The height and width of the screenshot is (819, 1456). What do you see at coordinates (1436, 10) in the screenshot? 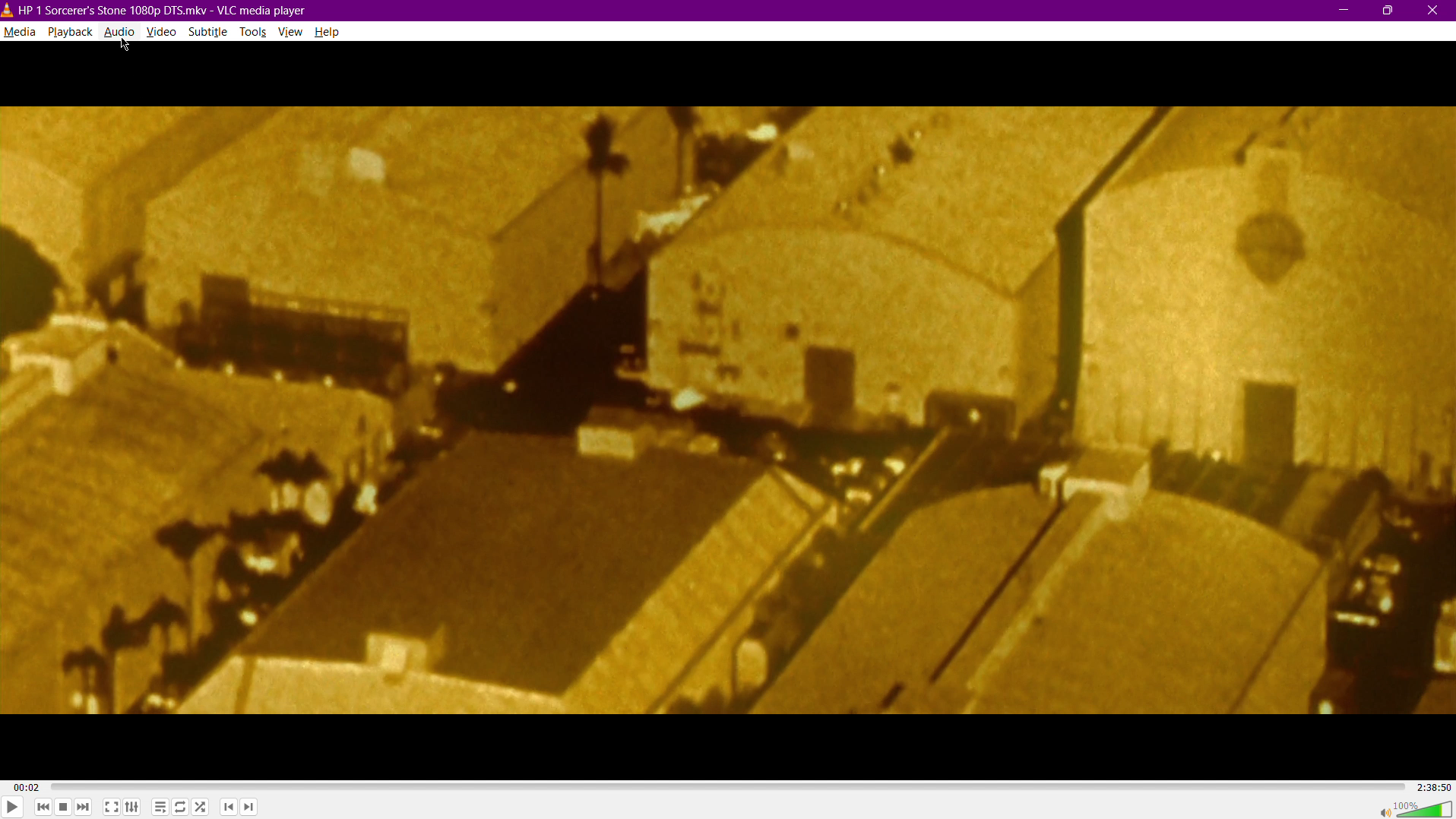
I see `Close` at bounding box center [1436, 10].